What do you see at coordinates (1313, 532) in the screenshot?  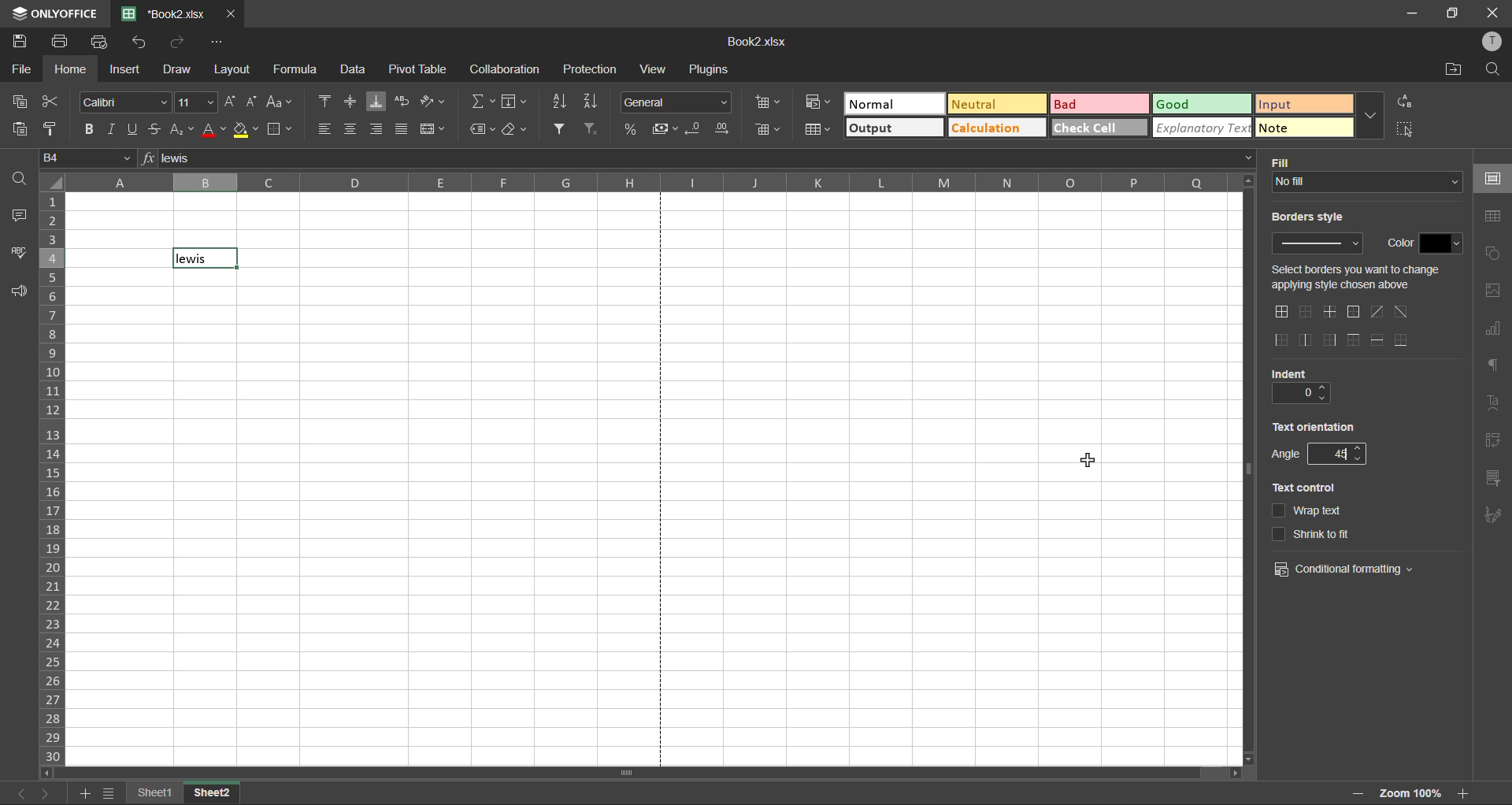 I see `shrink to it` at bounding box center [1313, 532].